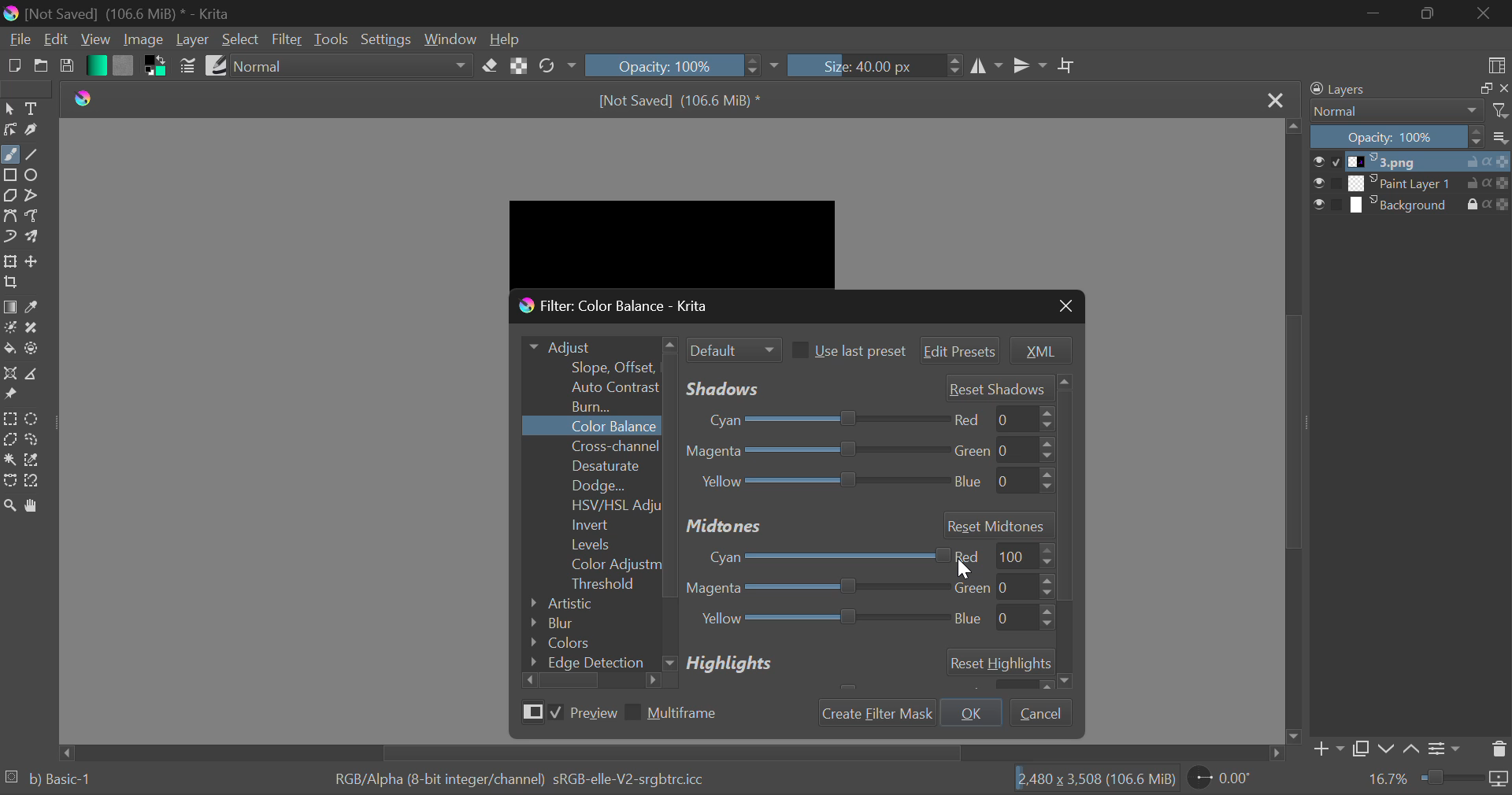 The height and width of the screenshot is (795, 1512). What do you see at coordinates (962, 566) in the screenshot?
I see `MOUSE_UP Cursor Position` at bounding box center [962, 566].